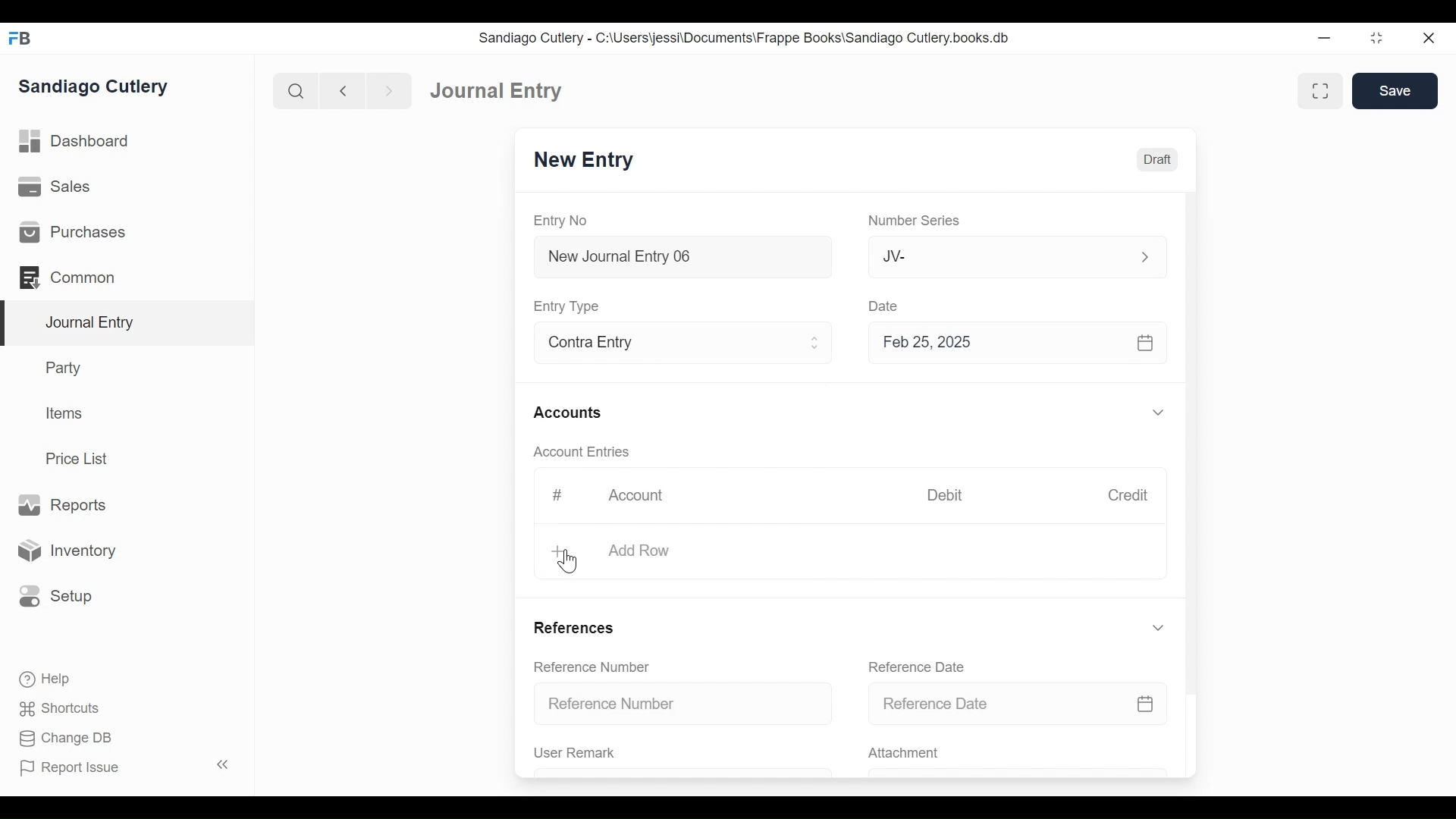  Describe the element at coordinates (1379, 37) in the screenshot. I see `Restore` at that location.